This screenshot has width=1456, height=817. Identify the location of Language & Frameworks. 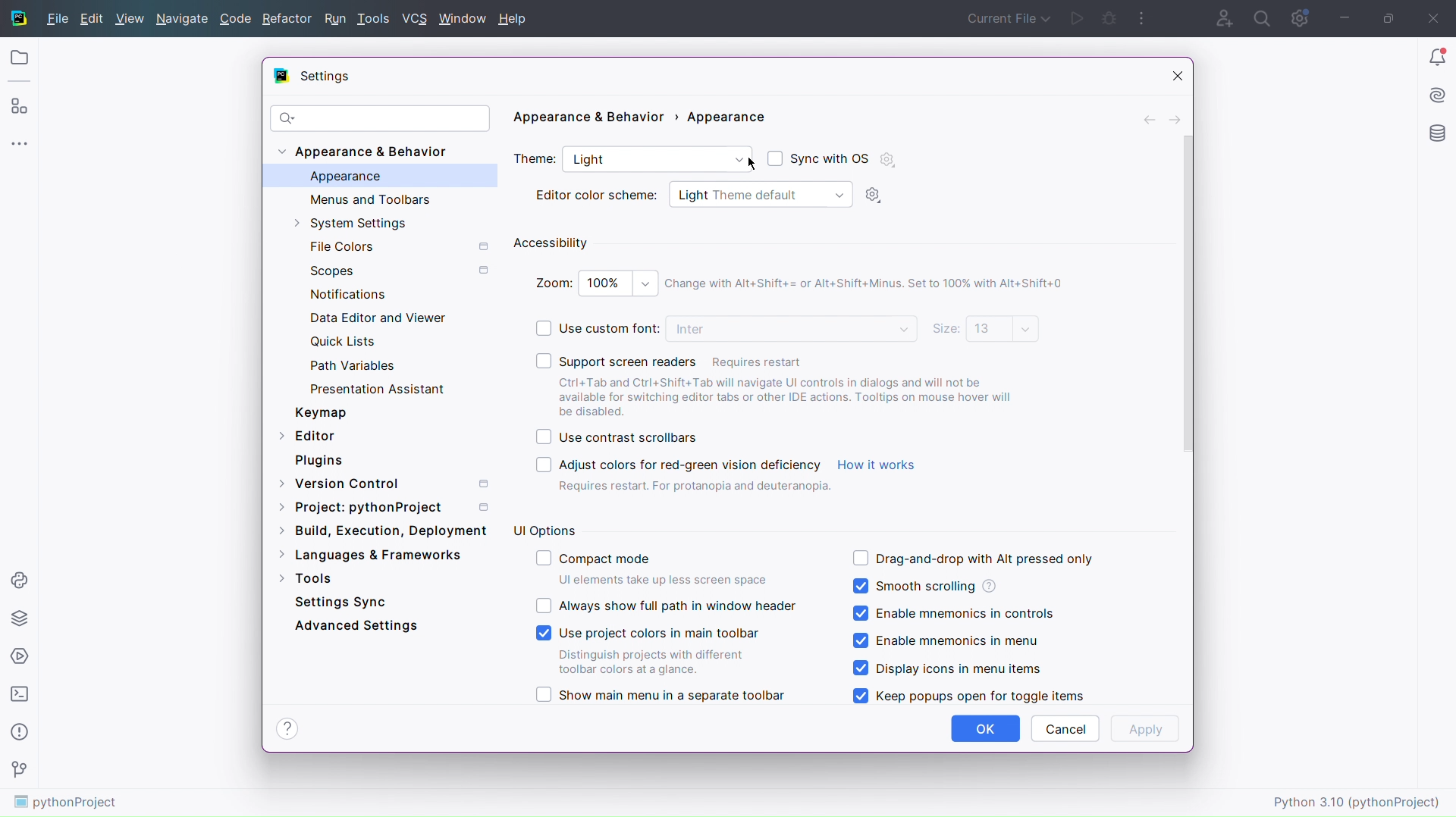
(370, 556).